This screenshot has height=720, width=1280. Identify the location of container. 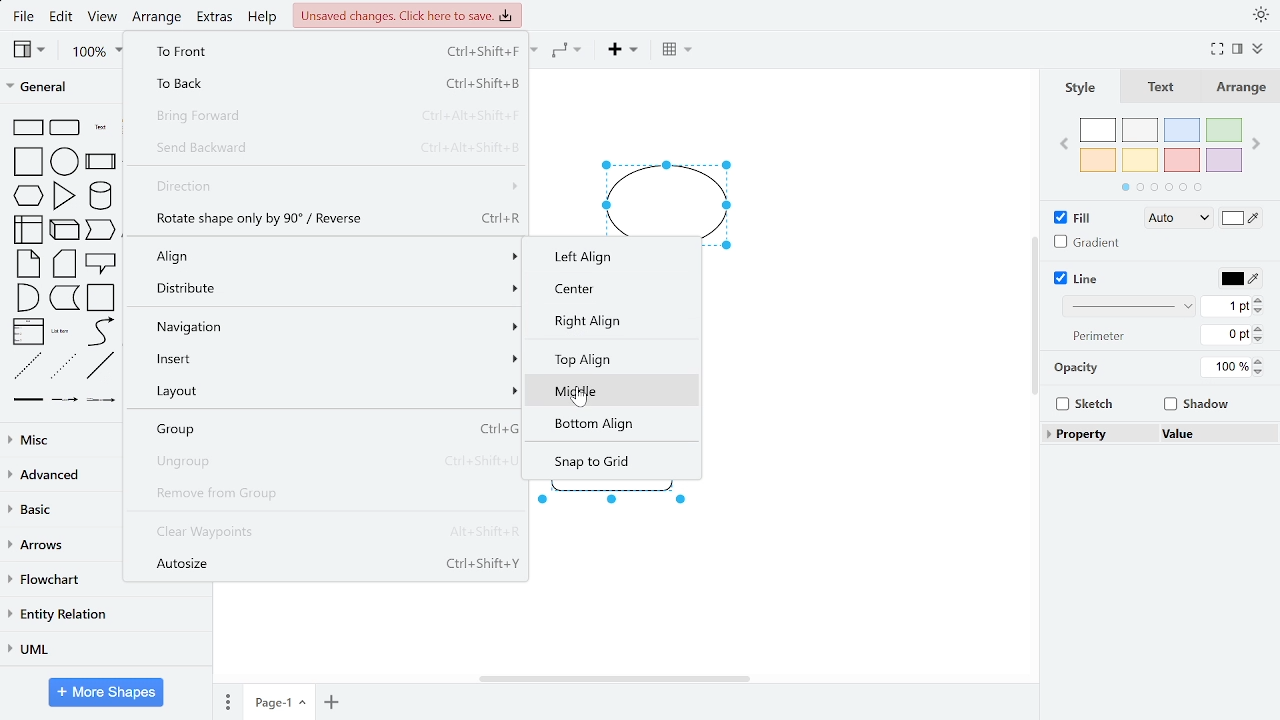
(102, 298).